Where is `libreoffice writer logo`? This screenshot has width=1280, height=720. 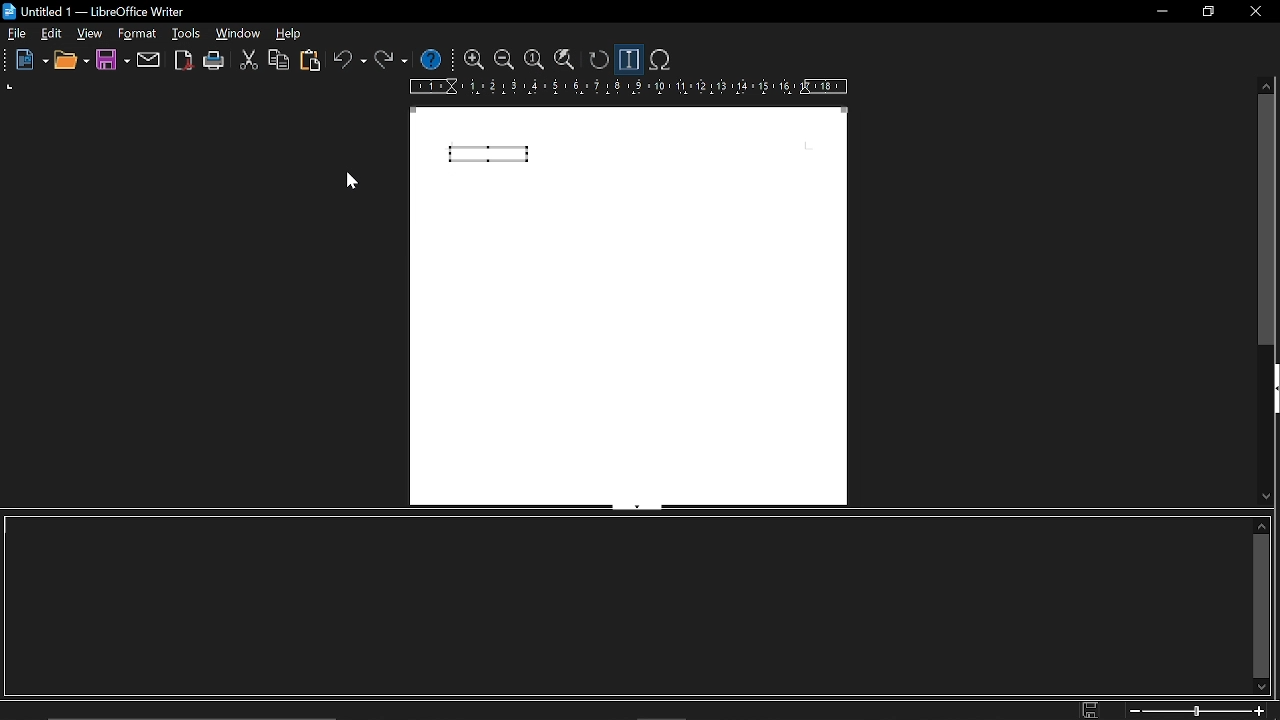
libreoffice writer logo is located at coordinates (11, 11).